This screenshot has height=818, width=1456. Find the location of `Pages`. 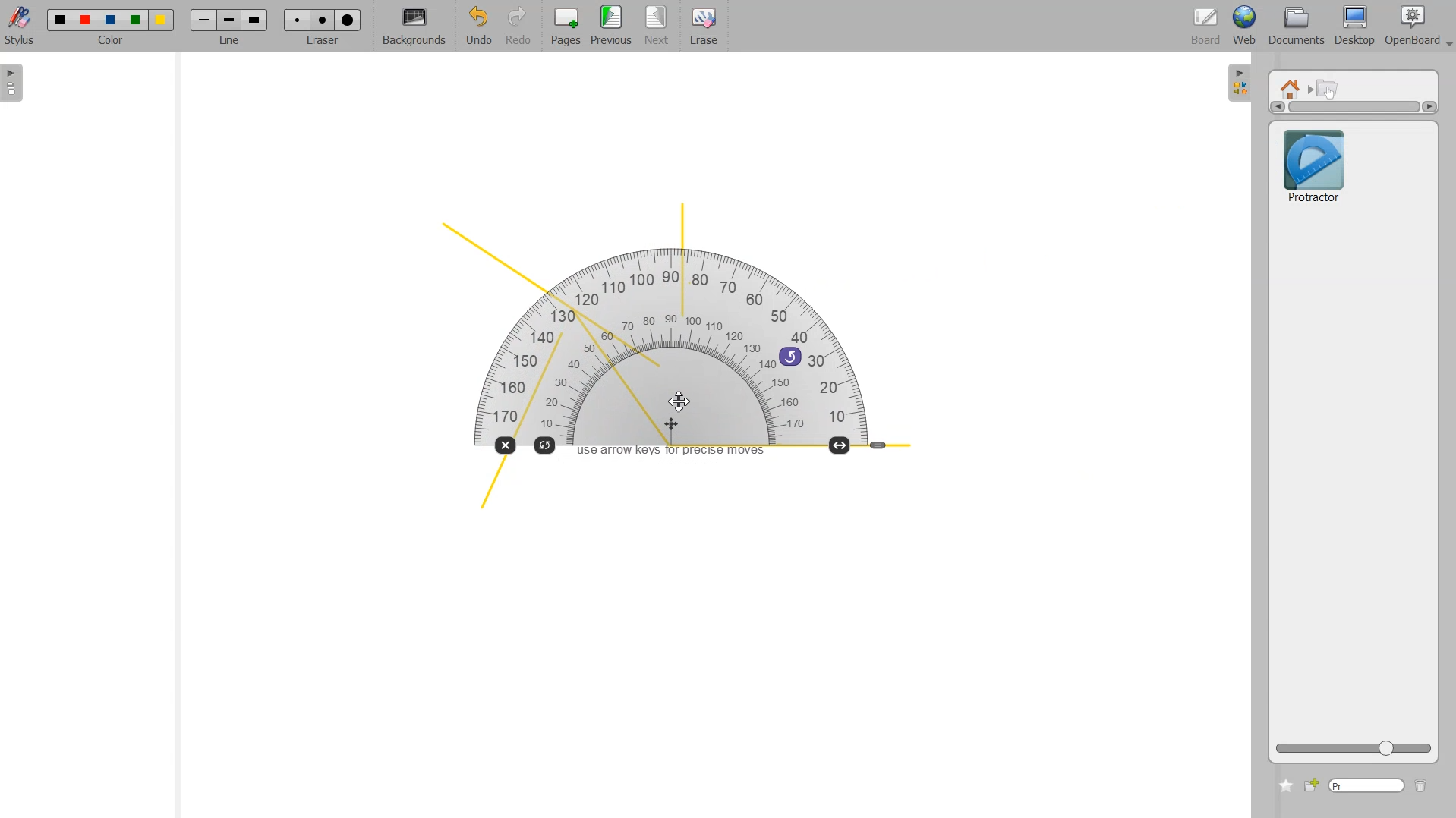

Pages is located at coordinates (564, 27).